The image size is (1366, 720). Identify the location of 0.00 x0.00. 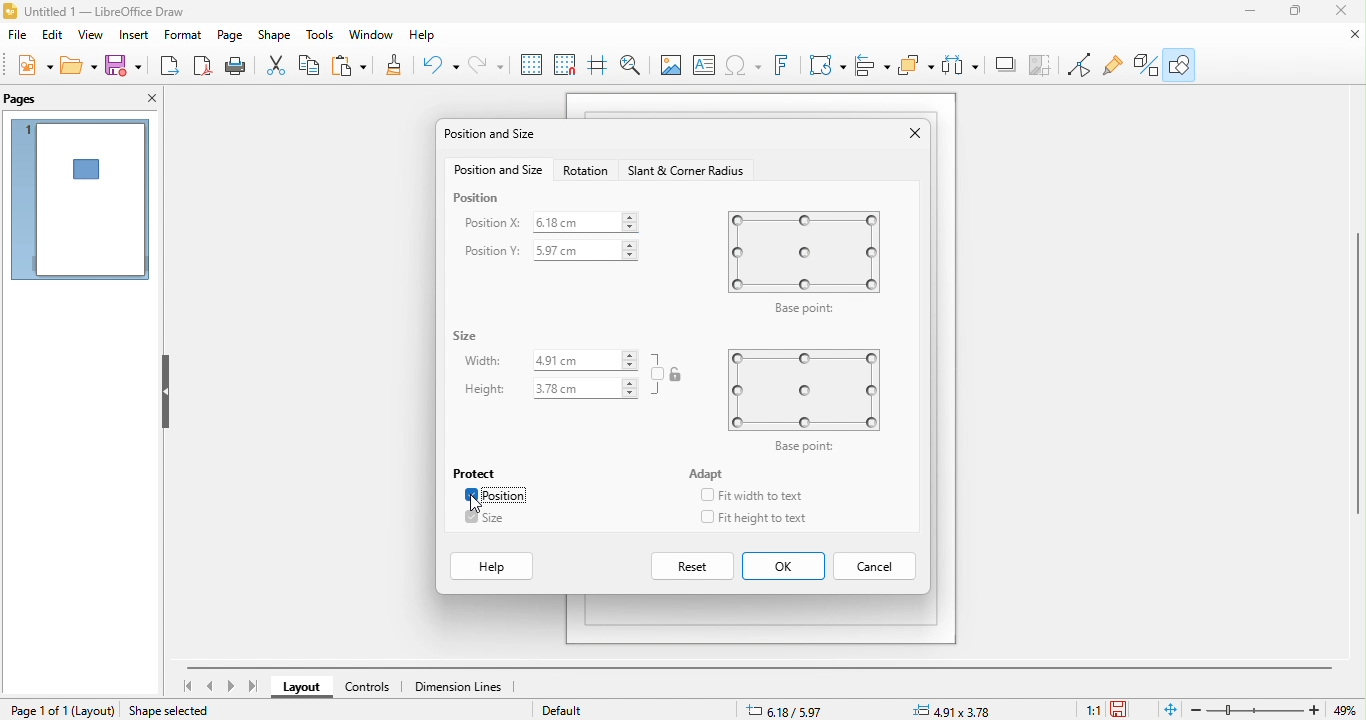
(955, 709).